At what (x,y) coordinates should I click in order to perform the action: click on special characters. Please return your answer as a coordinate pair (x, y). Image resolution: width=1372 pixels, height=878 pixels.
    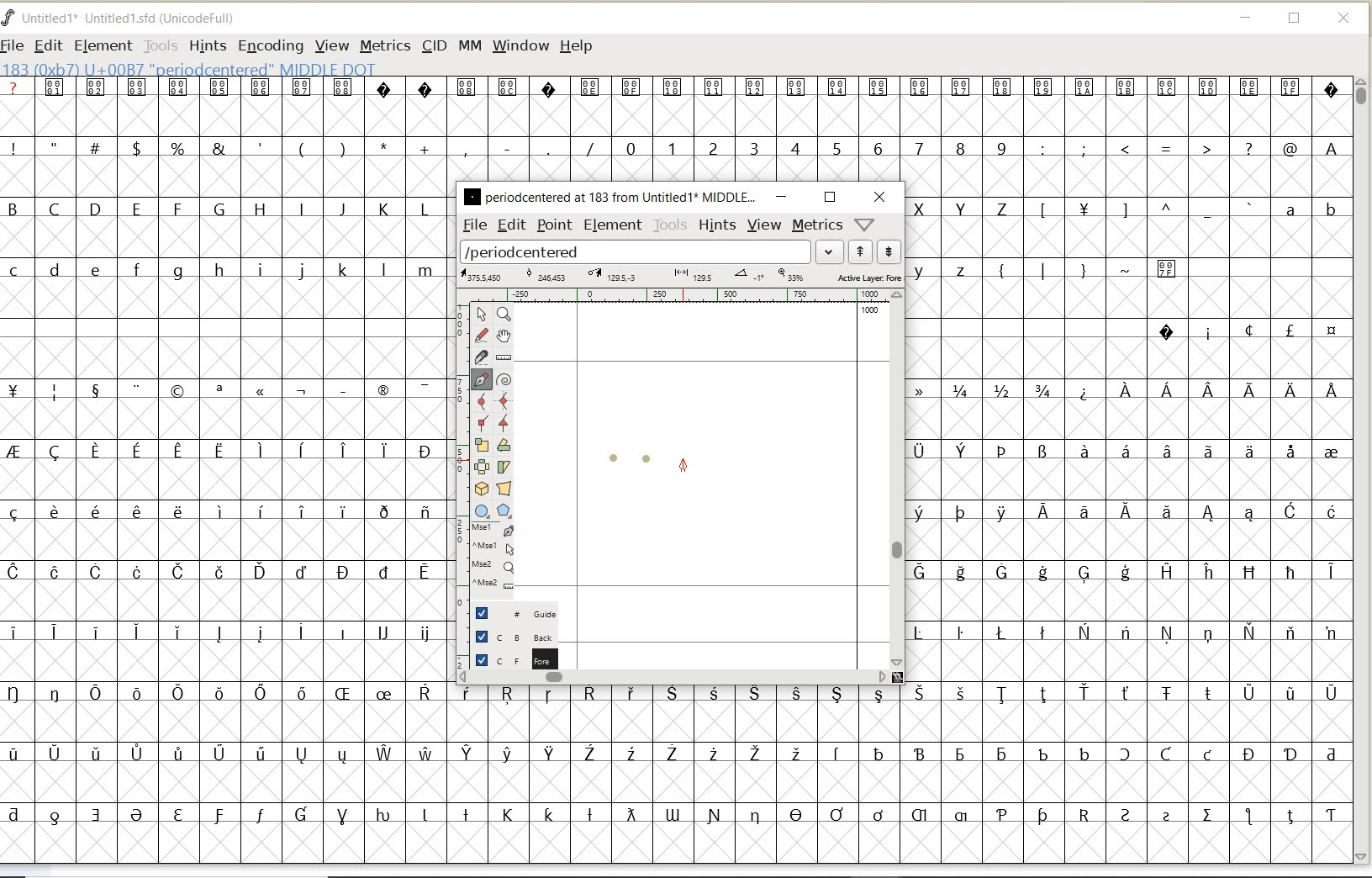
    Looking at the image, I should click on (673, 98).